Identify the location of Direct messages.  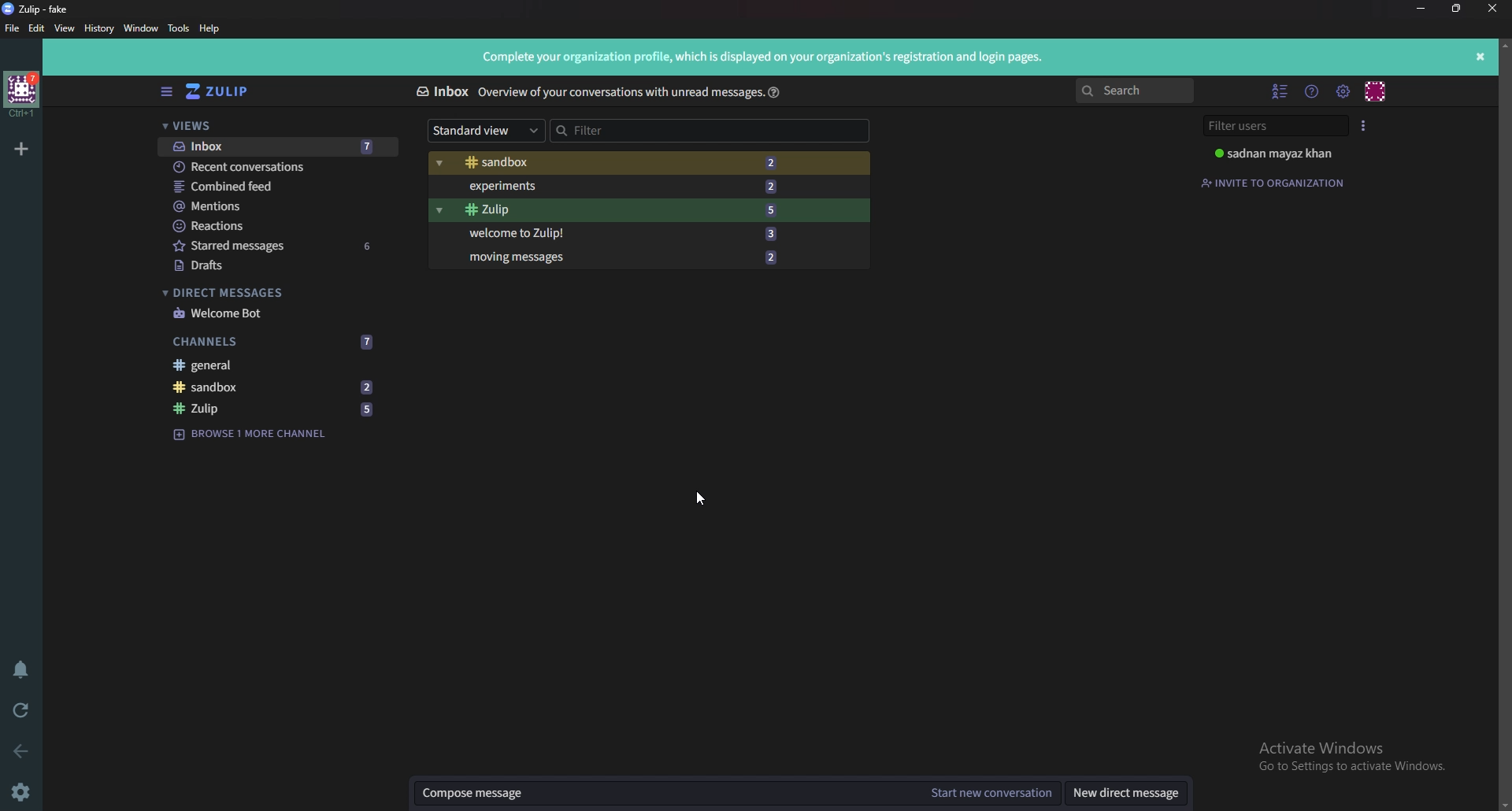
(269, 291).